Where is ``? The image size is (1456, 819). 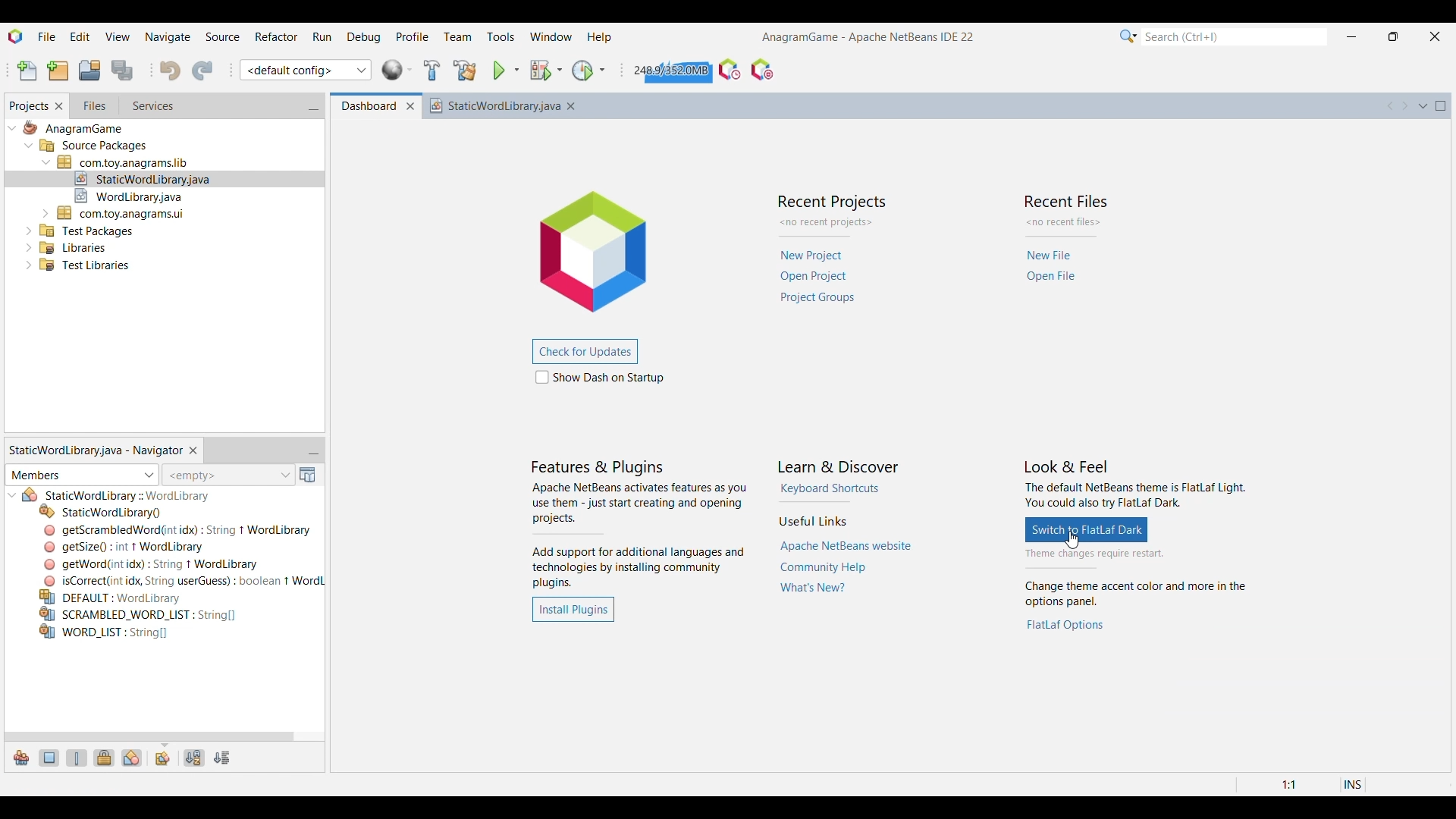  is located at coordinates (123, 546).